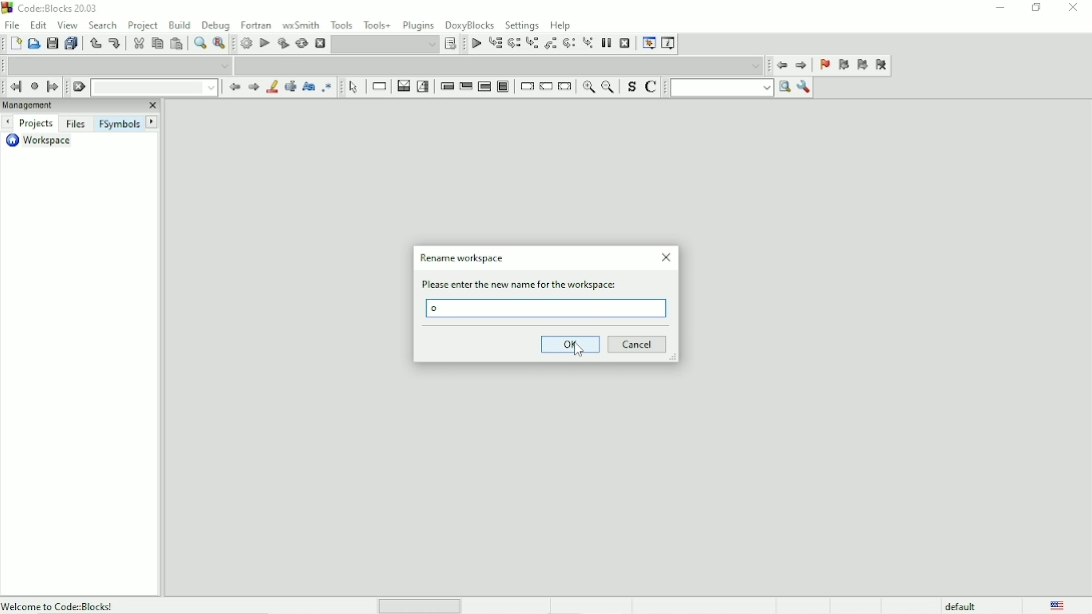 The image size is (1092, 614). Describe the element at coordinates (446, 86) in the screenshot. I see `Entry condition loop` at that location.